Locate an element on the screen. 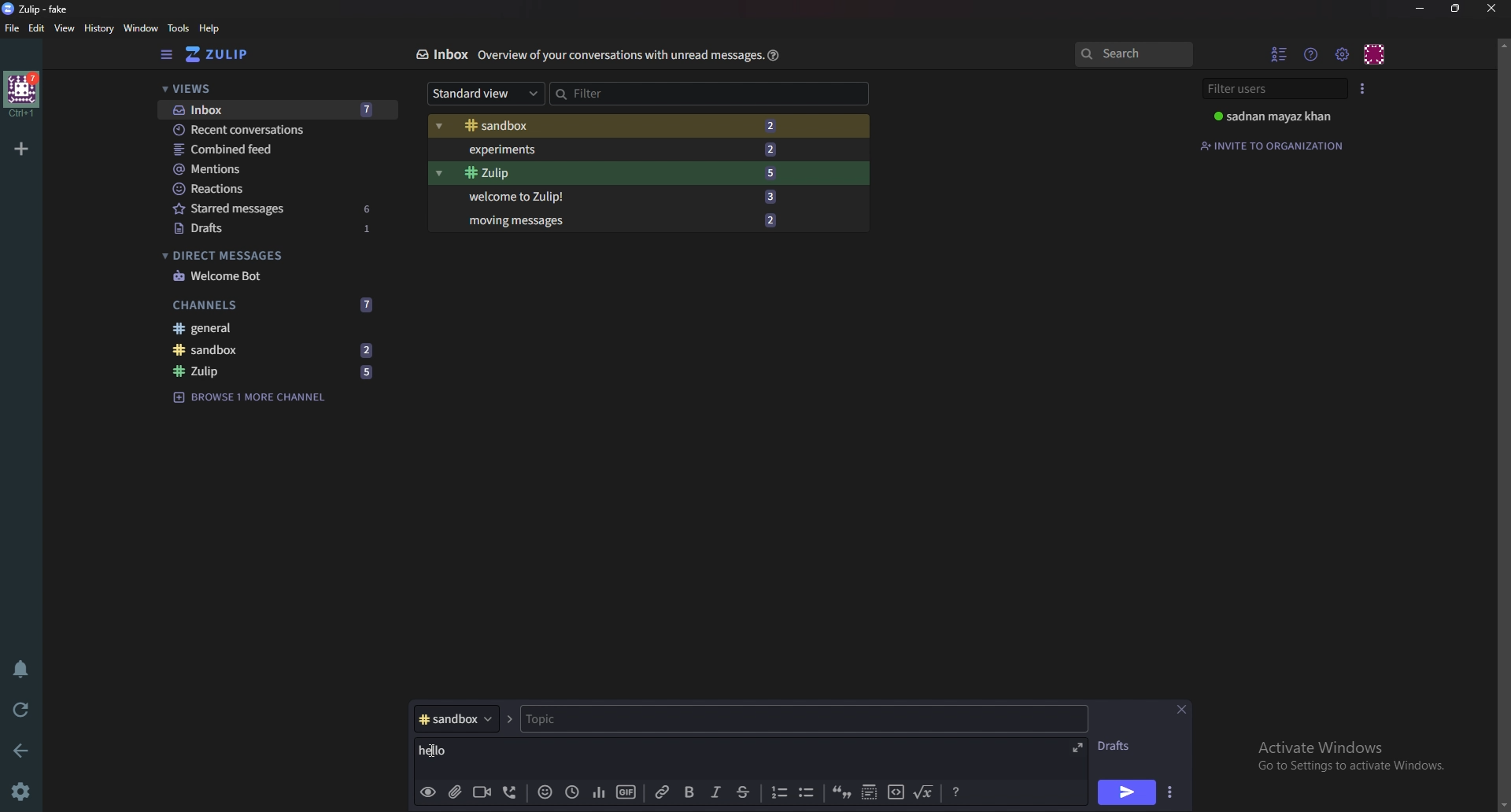  quote is located at coordinates (844, 792).